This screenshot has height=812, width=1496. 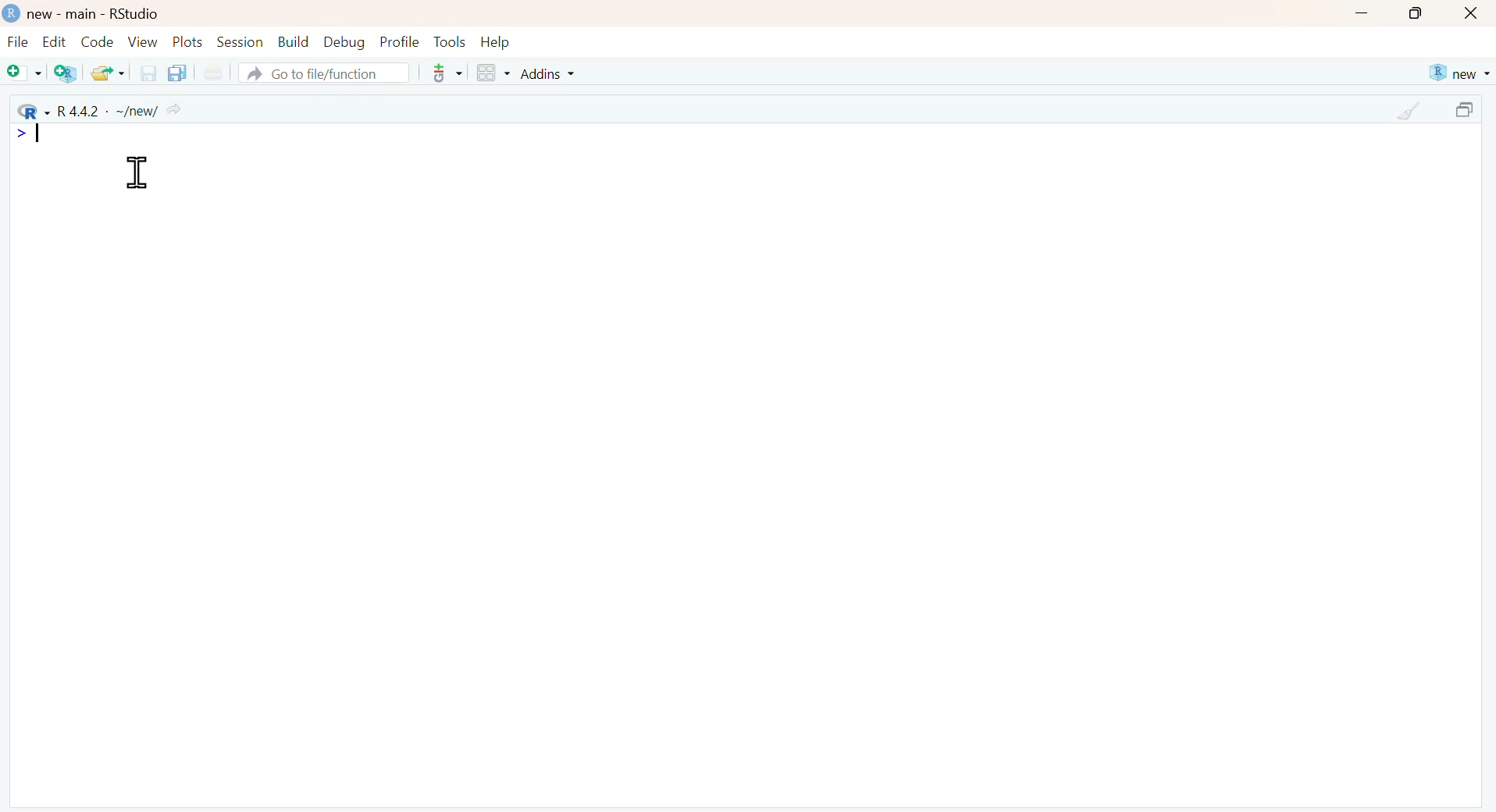 What do you see at coordinates (137, 172) in the screenshot?
I see `cursor` at bounding box center [137, 172].